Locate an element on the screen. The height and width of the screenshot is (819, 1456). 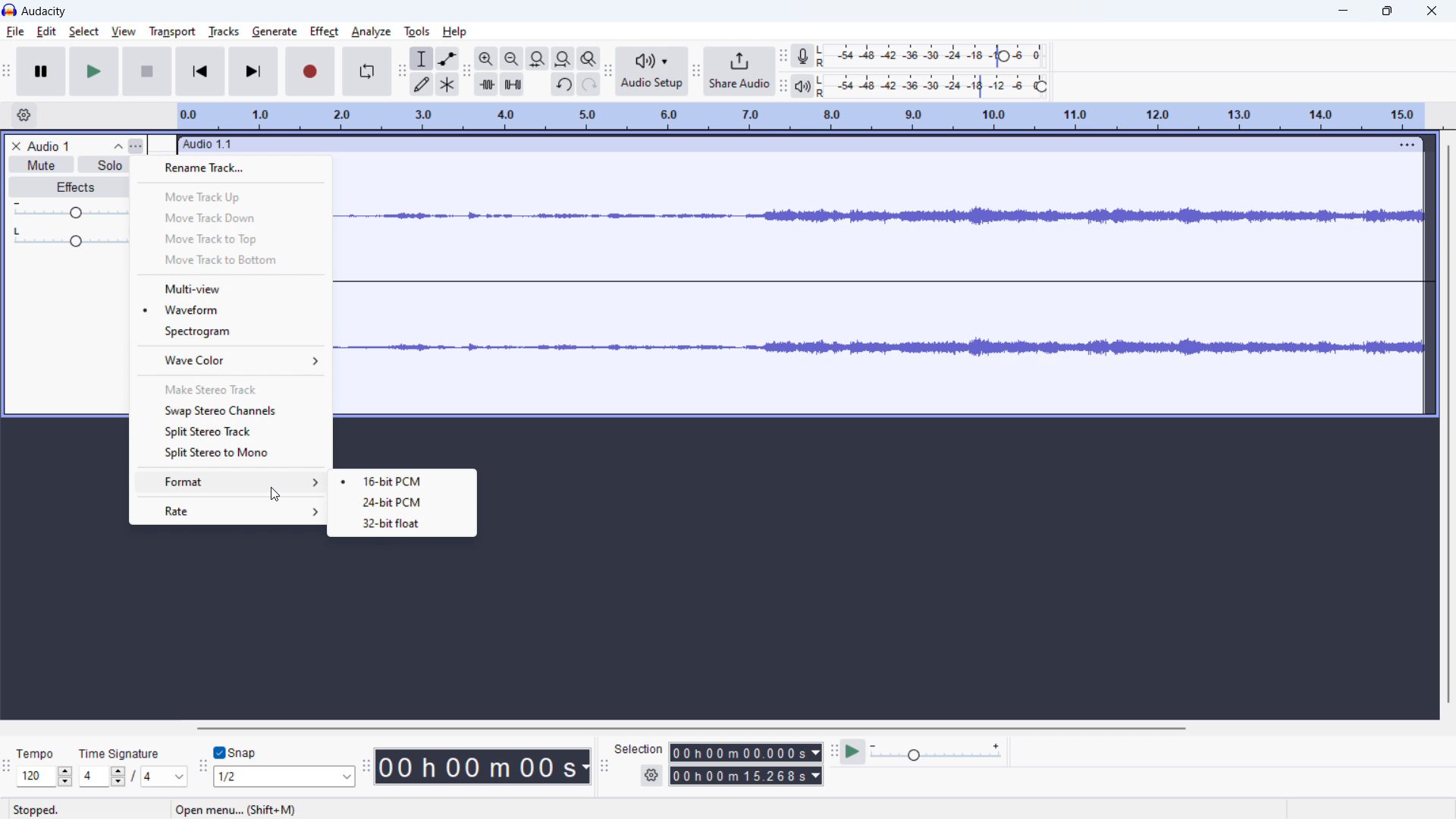
mute is located at coordinates (41, 165).